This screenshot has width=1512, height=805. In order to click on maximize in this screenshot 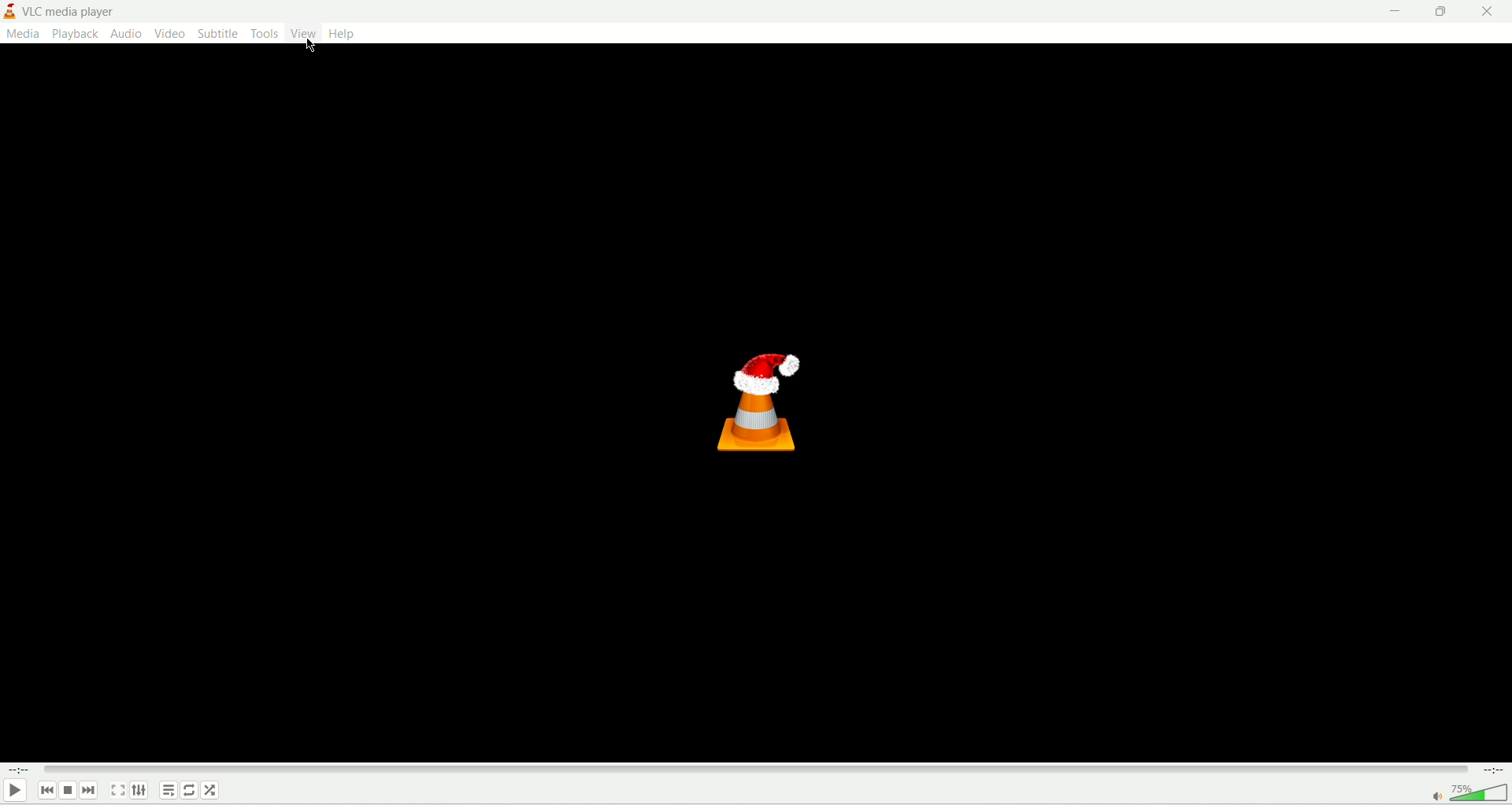, I will do `click(1438, 12)`.